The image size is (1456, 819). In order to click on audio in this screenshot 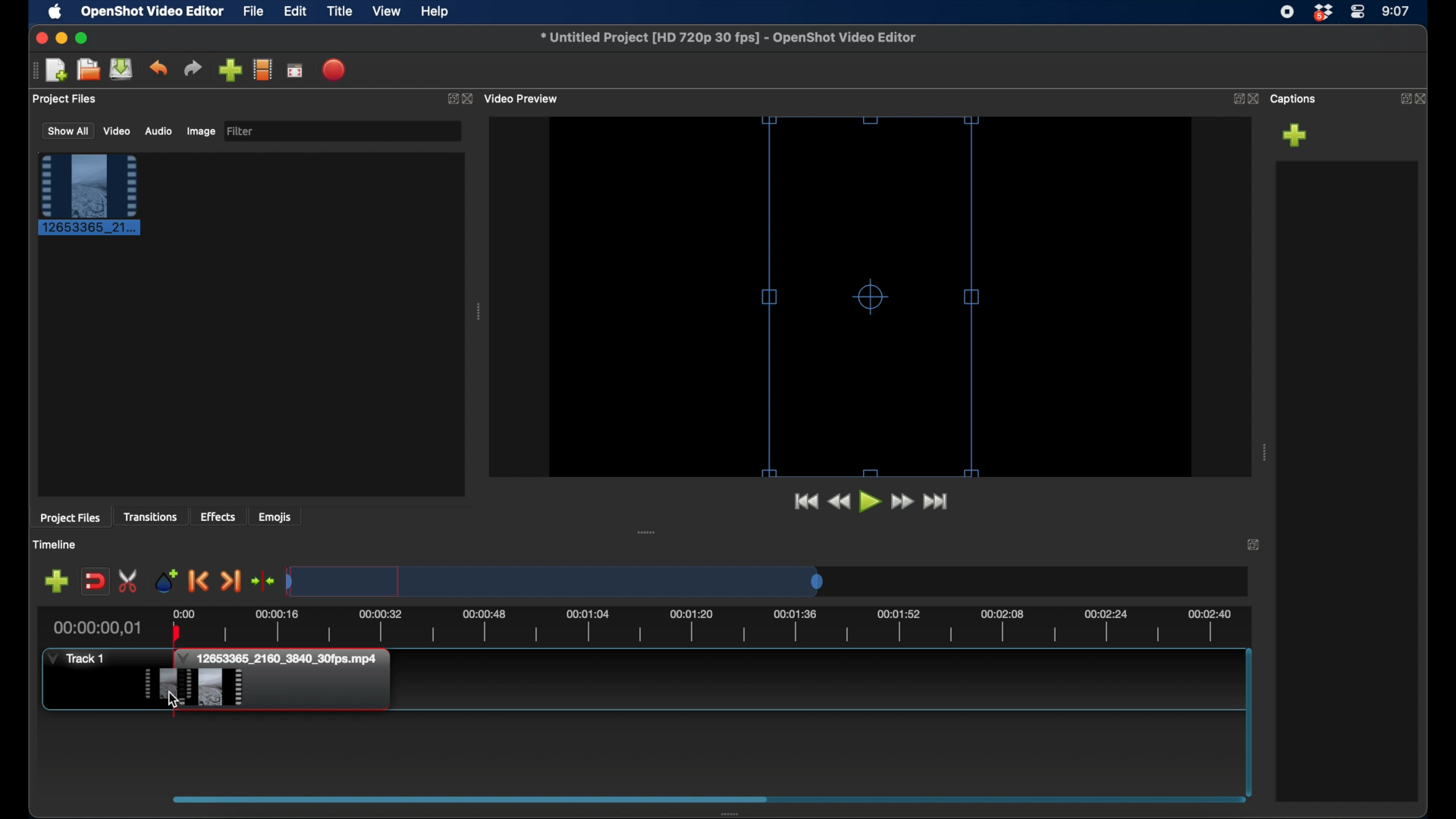, I will do `click(158, 131)`.